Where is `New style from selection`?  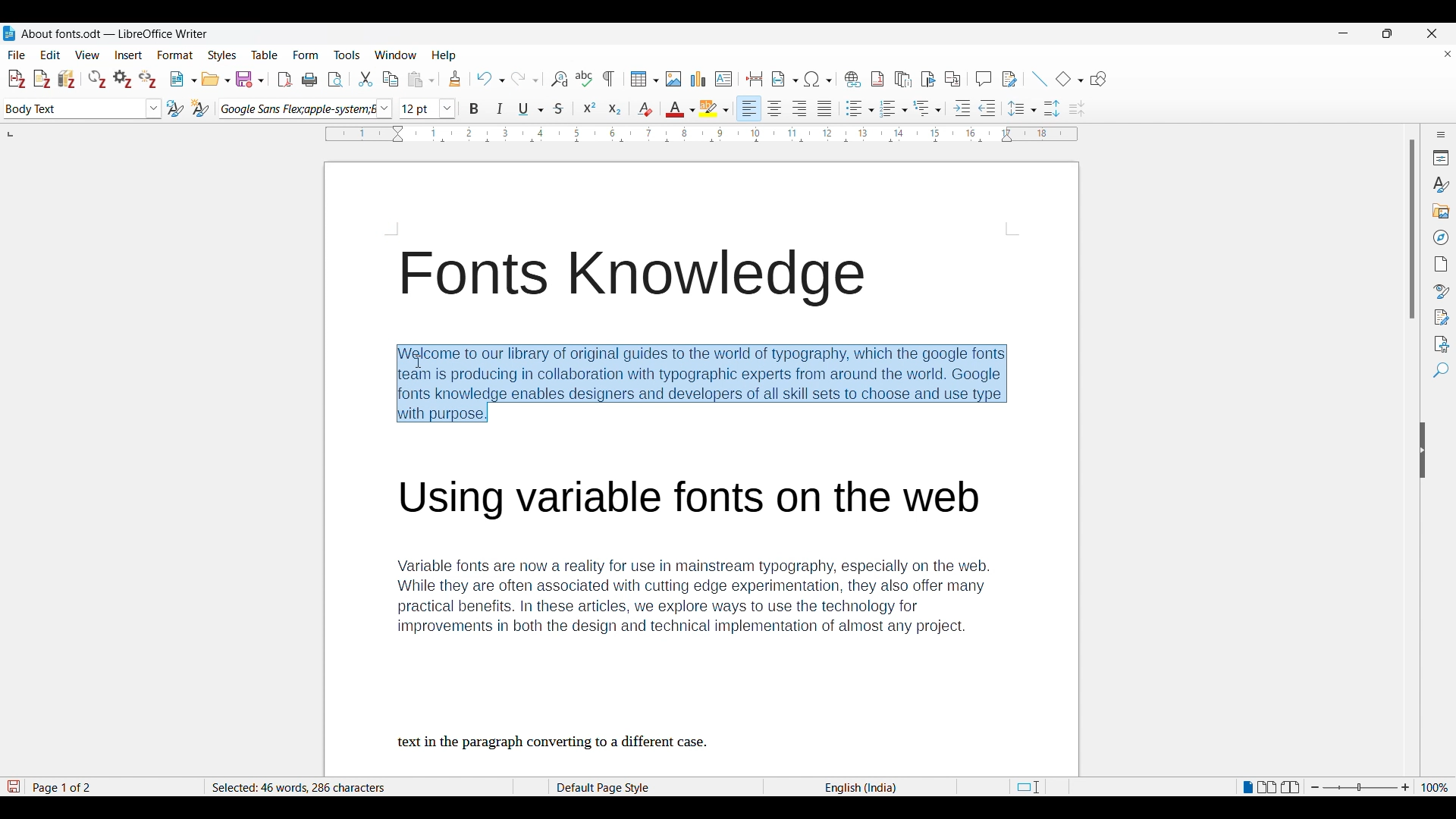 New style from selection is located at coordinates (200, 108).